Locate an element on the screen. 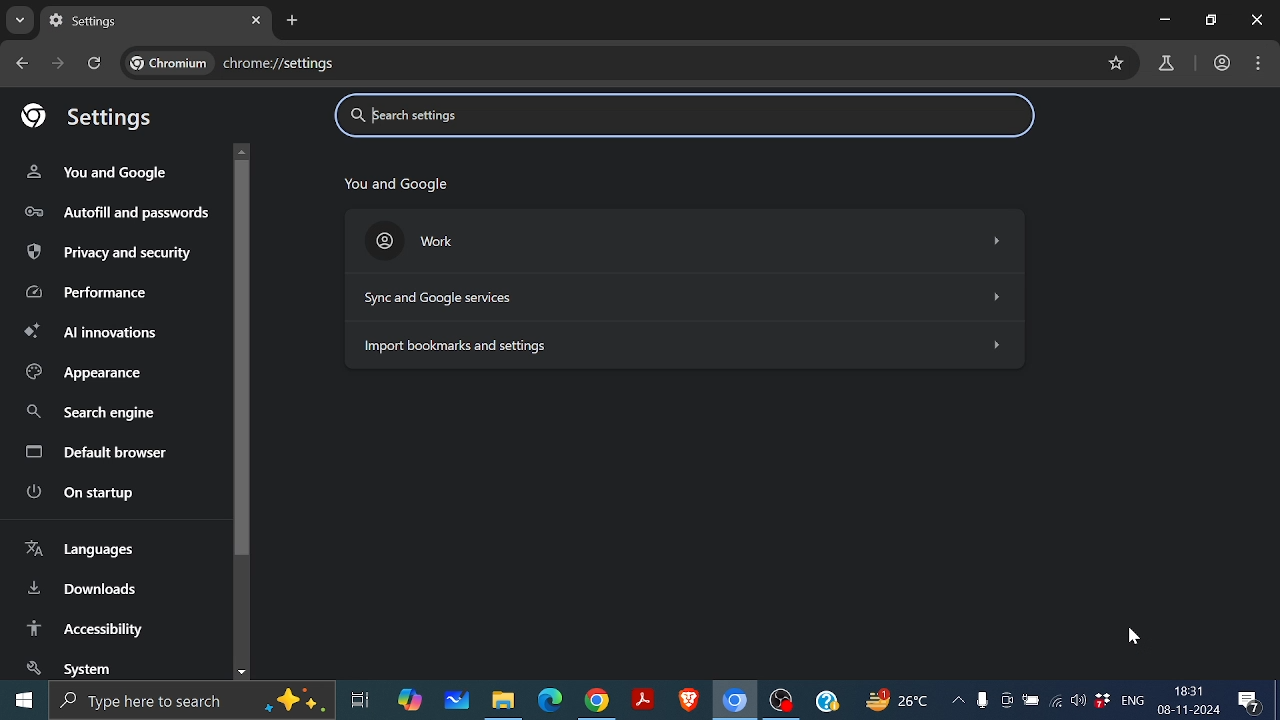 Image resolution: width=1280 pixels, height=720 pixels. dropbox is located at coordinates (1104, 704).